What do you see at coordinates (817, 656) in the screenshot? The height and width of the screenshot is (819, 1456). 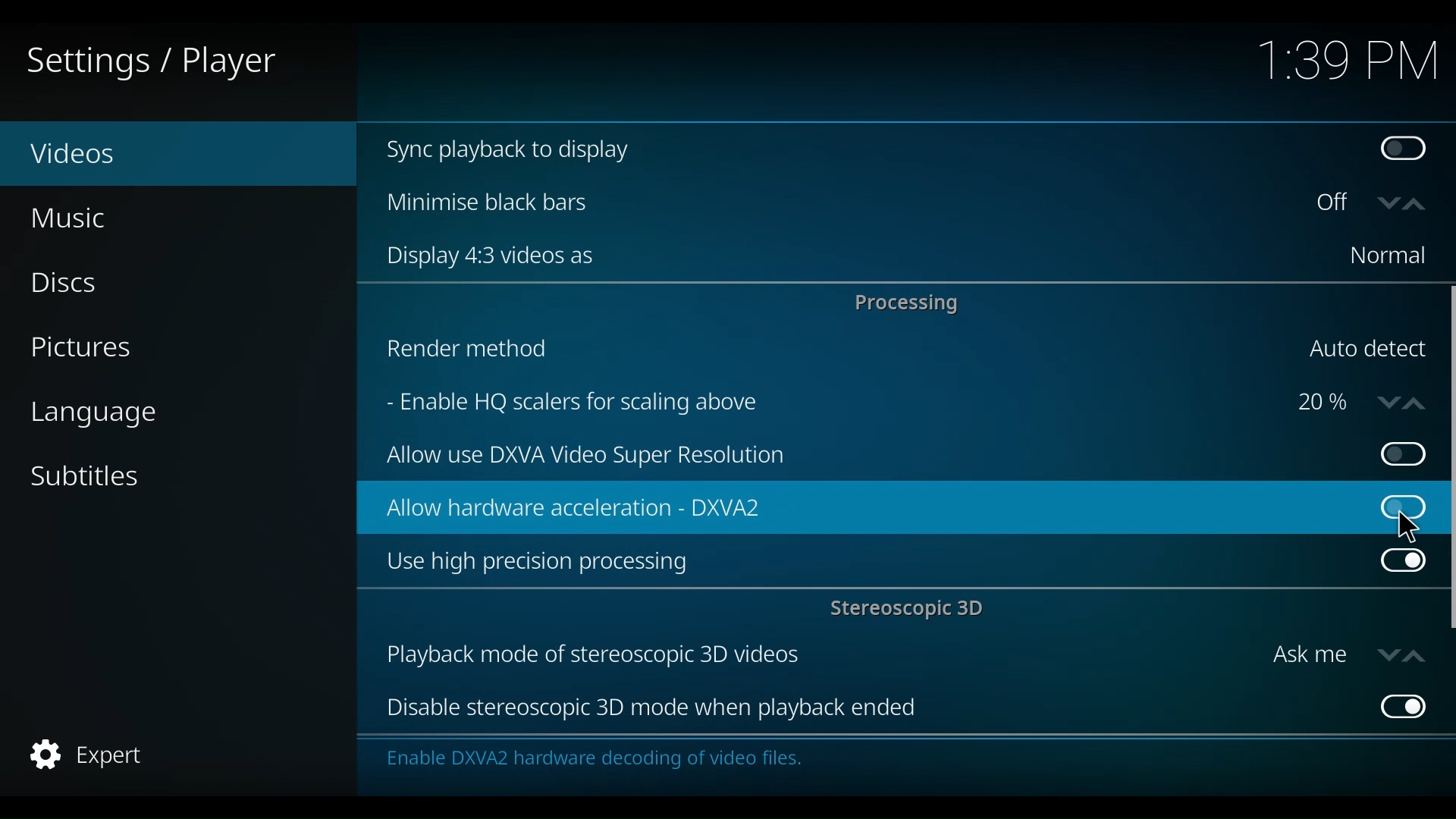 I see `Playback mode of stereoscopic 3D videos` at bounding box center [817, 656].